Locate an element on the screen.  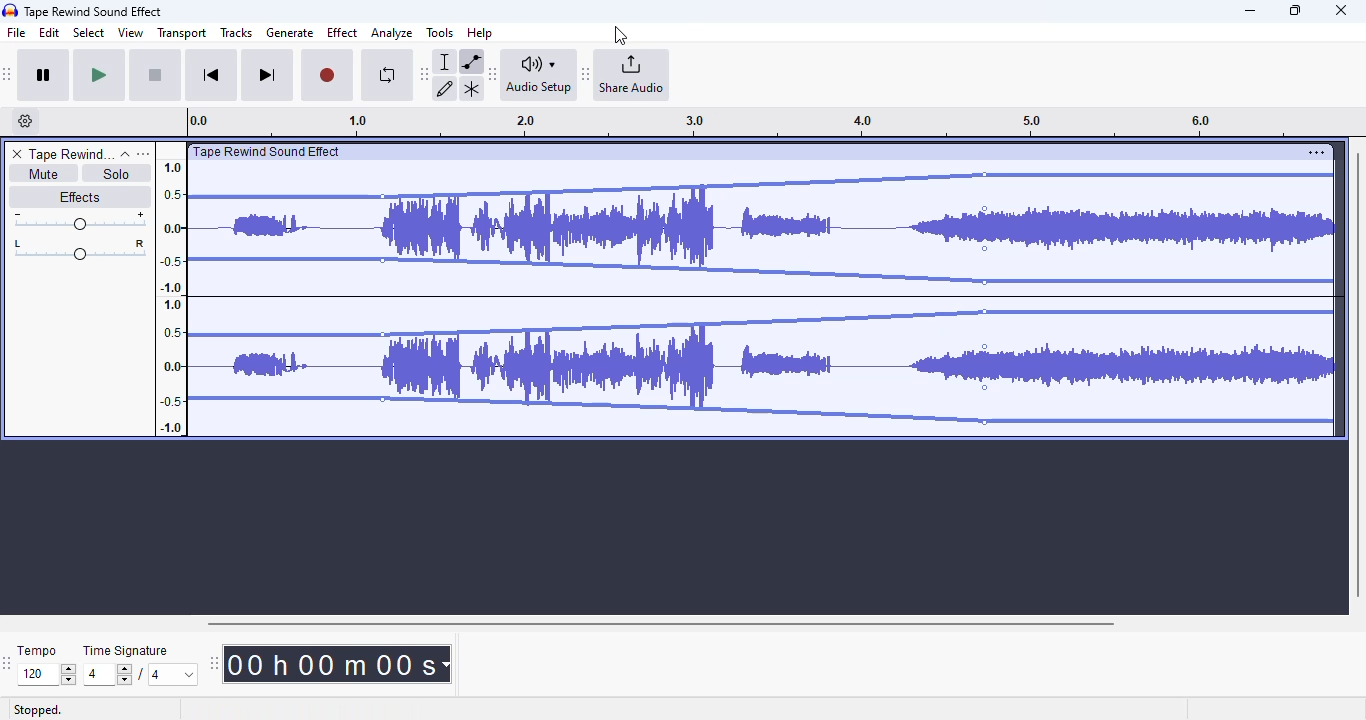
enable looping is located at coordinates (386, 75).